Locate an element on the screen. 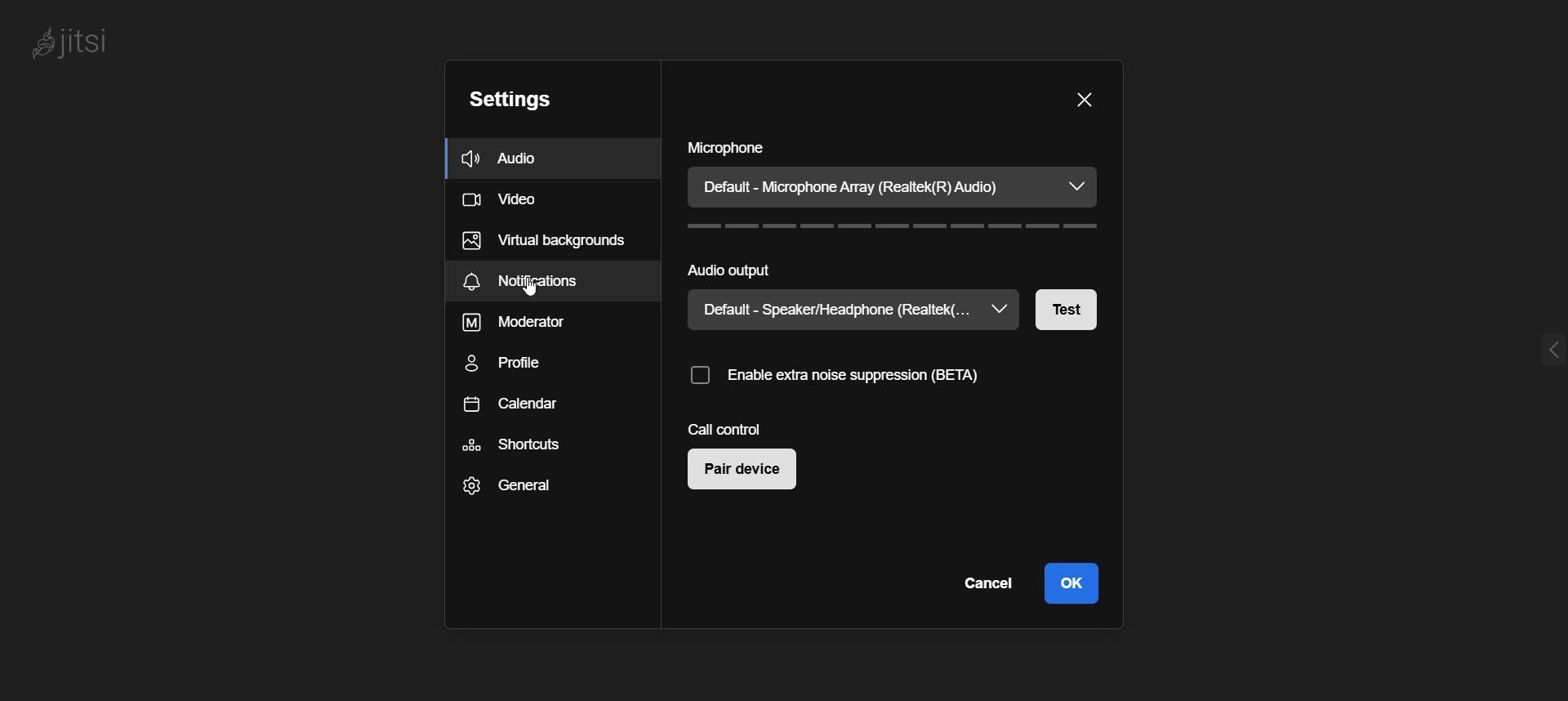 This screenshot has width=1568, height=701. Profile is located at coordinates (517, 361).